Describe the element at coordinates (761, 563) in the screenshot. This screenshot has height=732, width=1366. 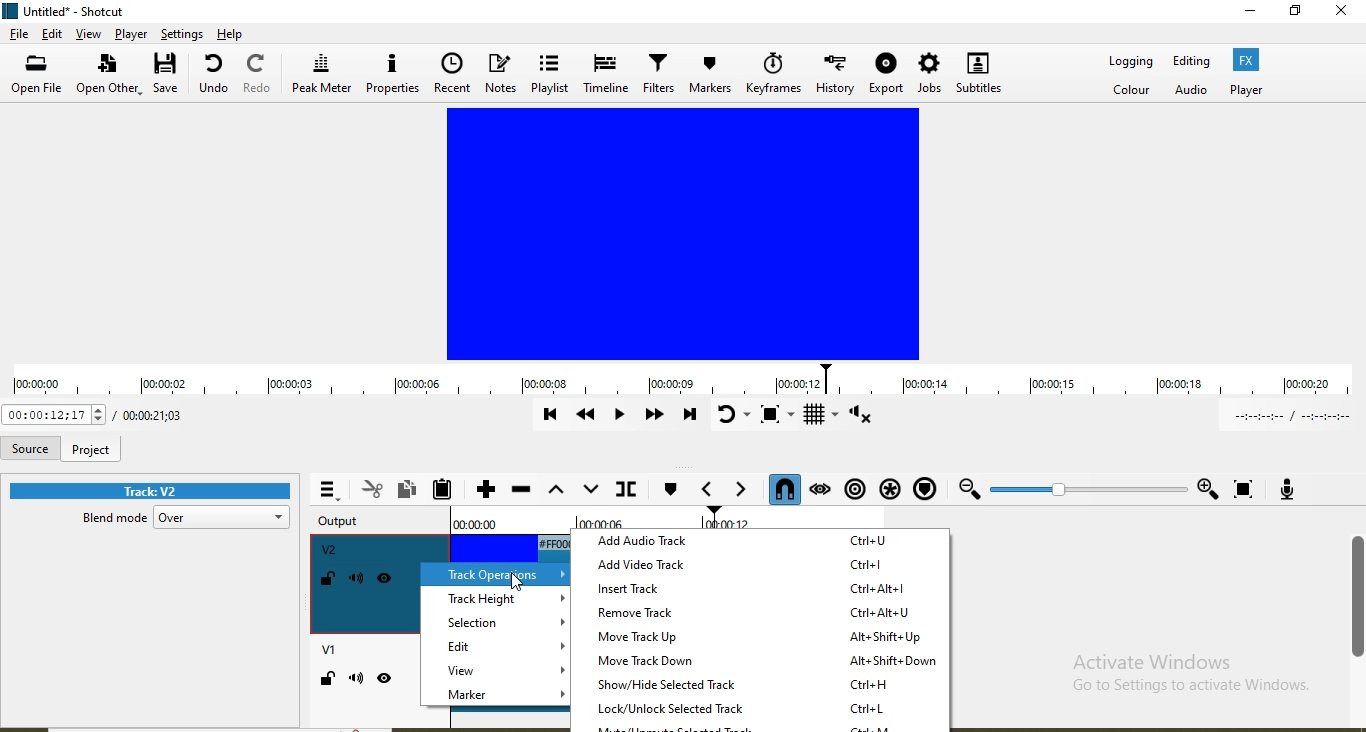
I see `add video track` at that location.